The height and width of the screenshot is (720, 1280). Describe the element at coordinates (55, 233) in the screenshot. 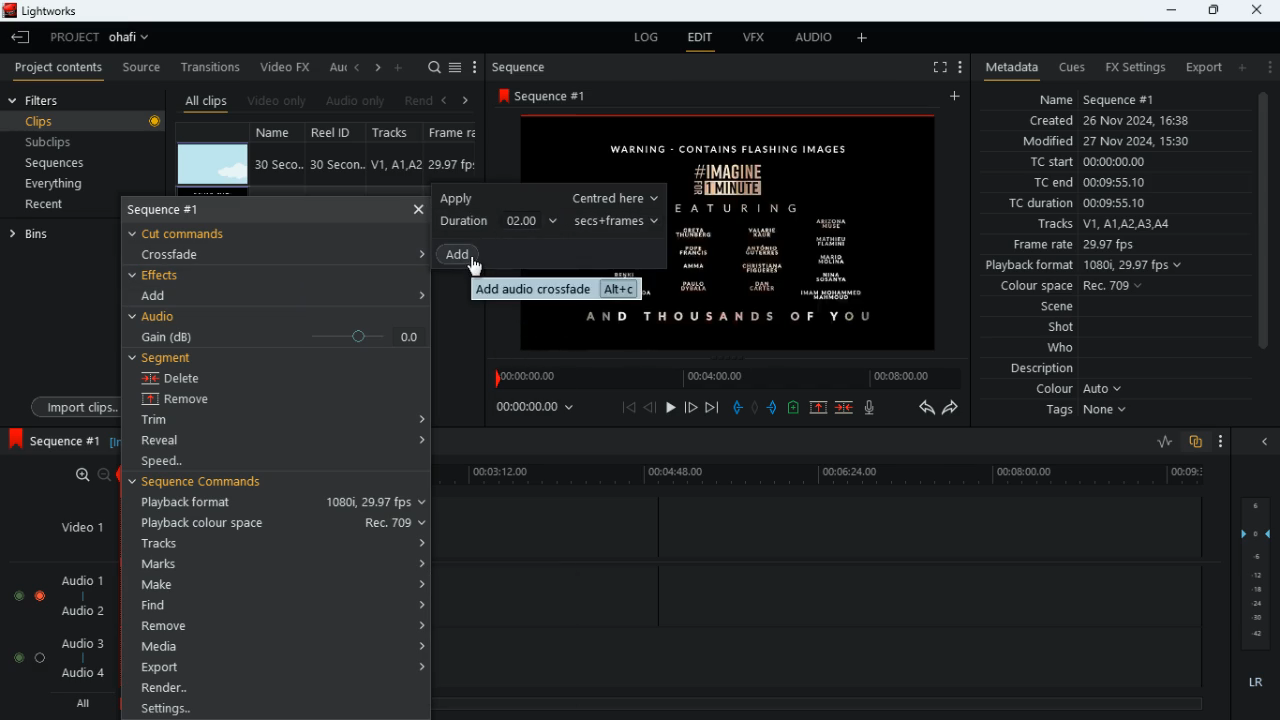

I see `bins` at that location.